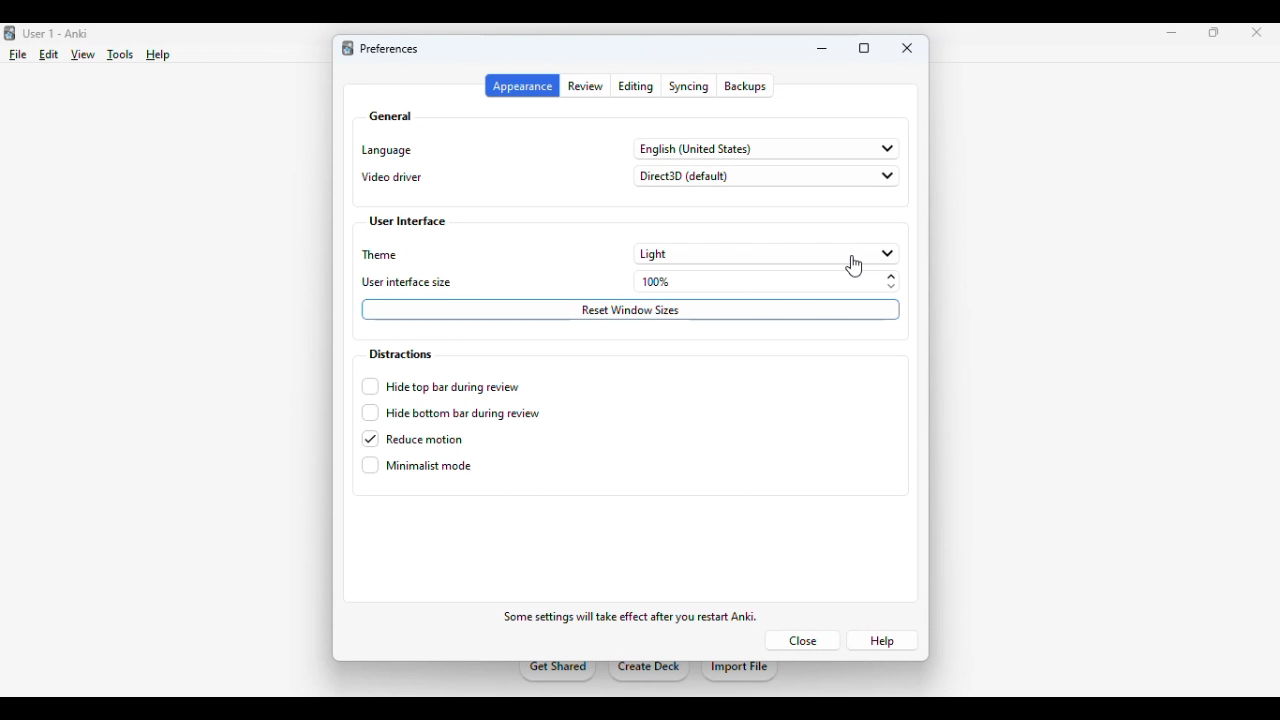 The image size is (1280, 720). What do you see at coordinates (10, 33) in the screenshot?
I see `logo` at bounding box center [10, 33].